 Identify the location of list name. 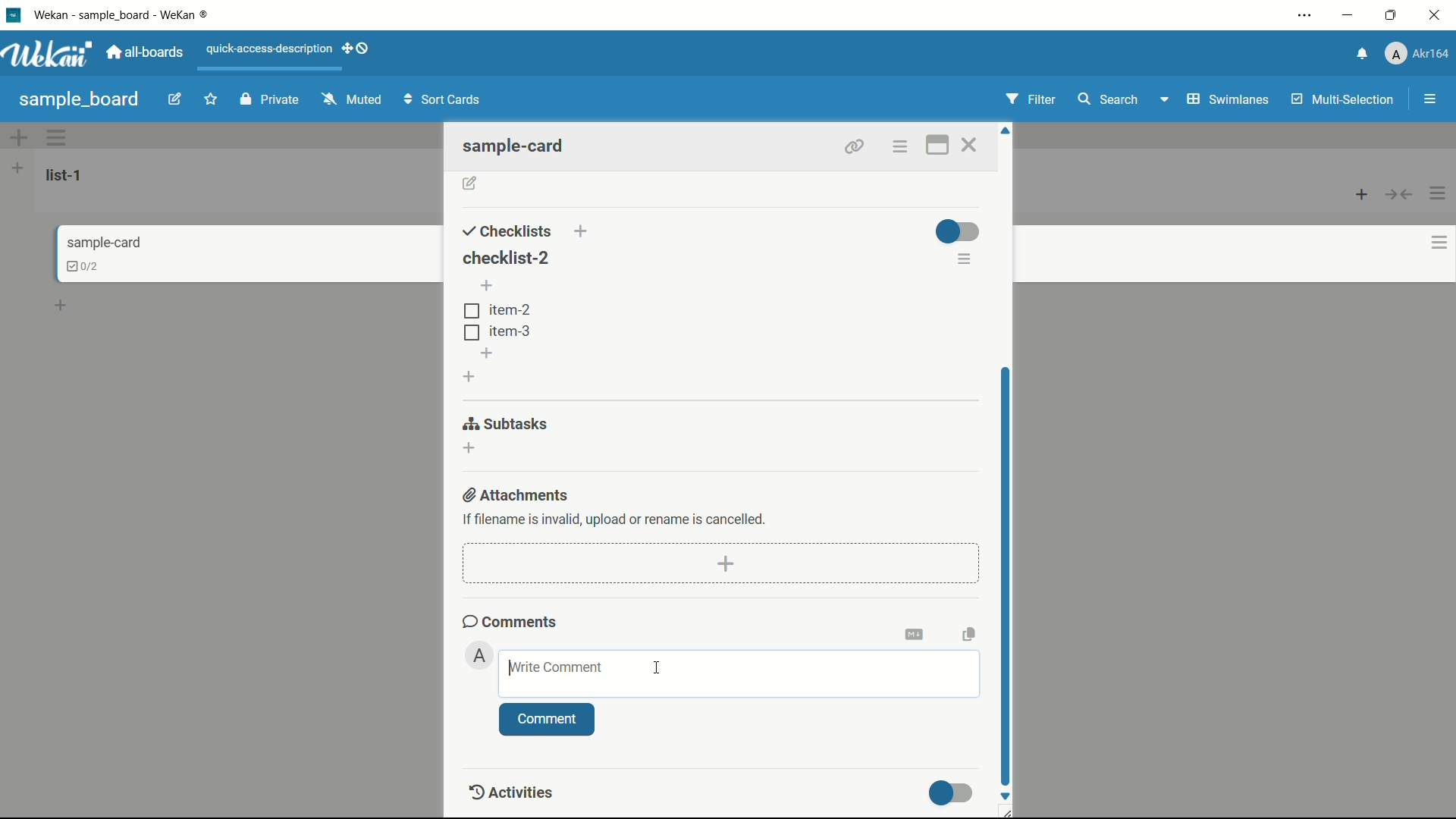
(67, 175).